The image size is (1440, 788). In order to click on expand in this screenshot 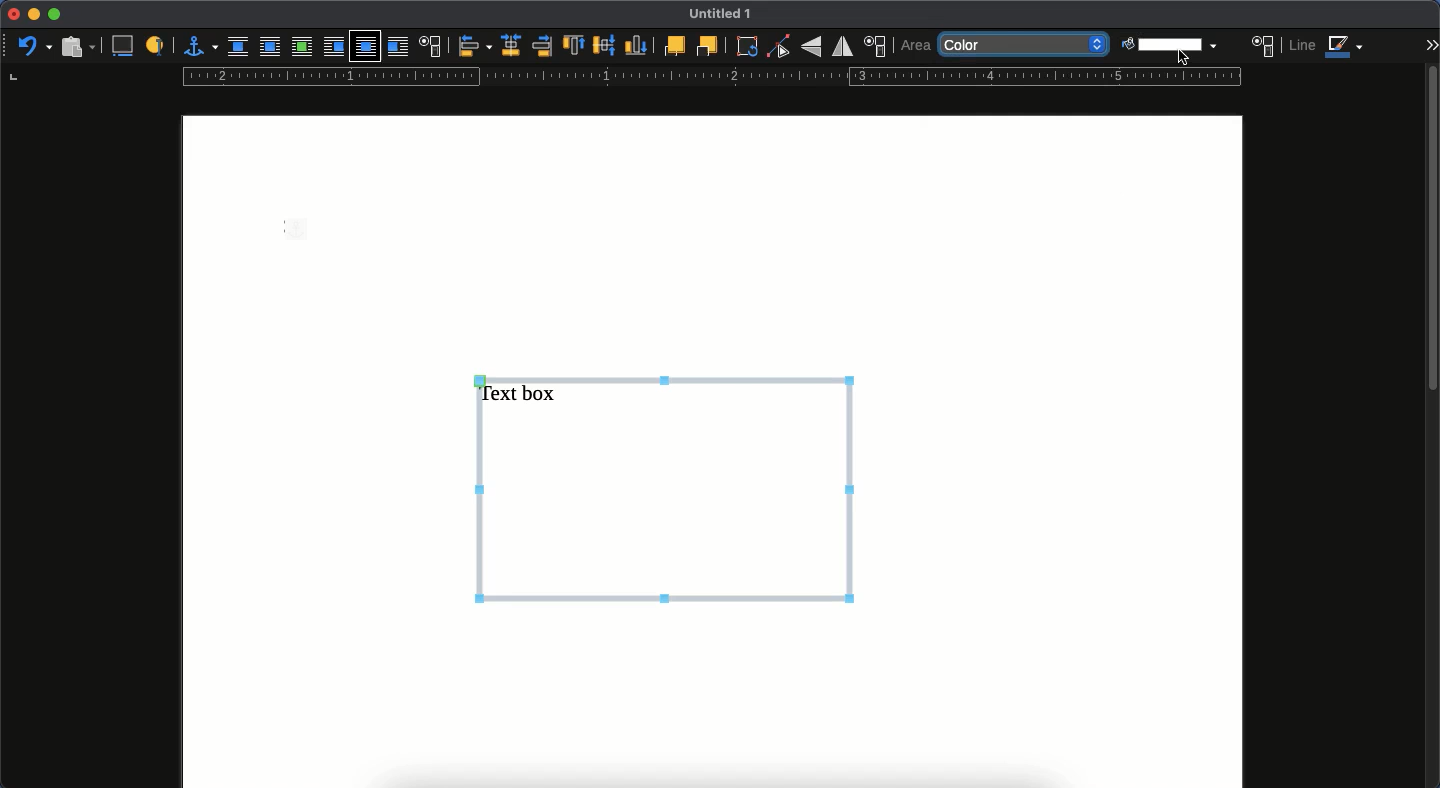, I will do `click(1431, 44)`.